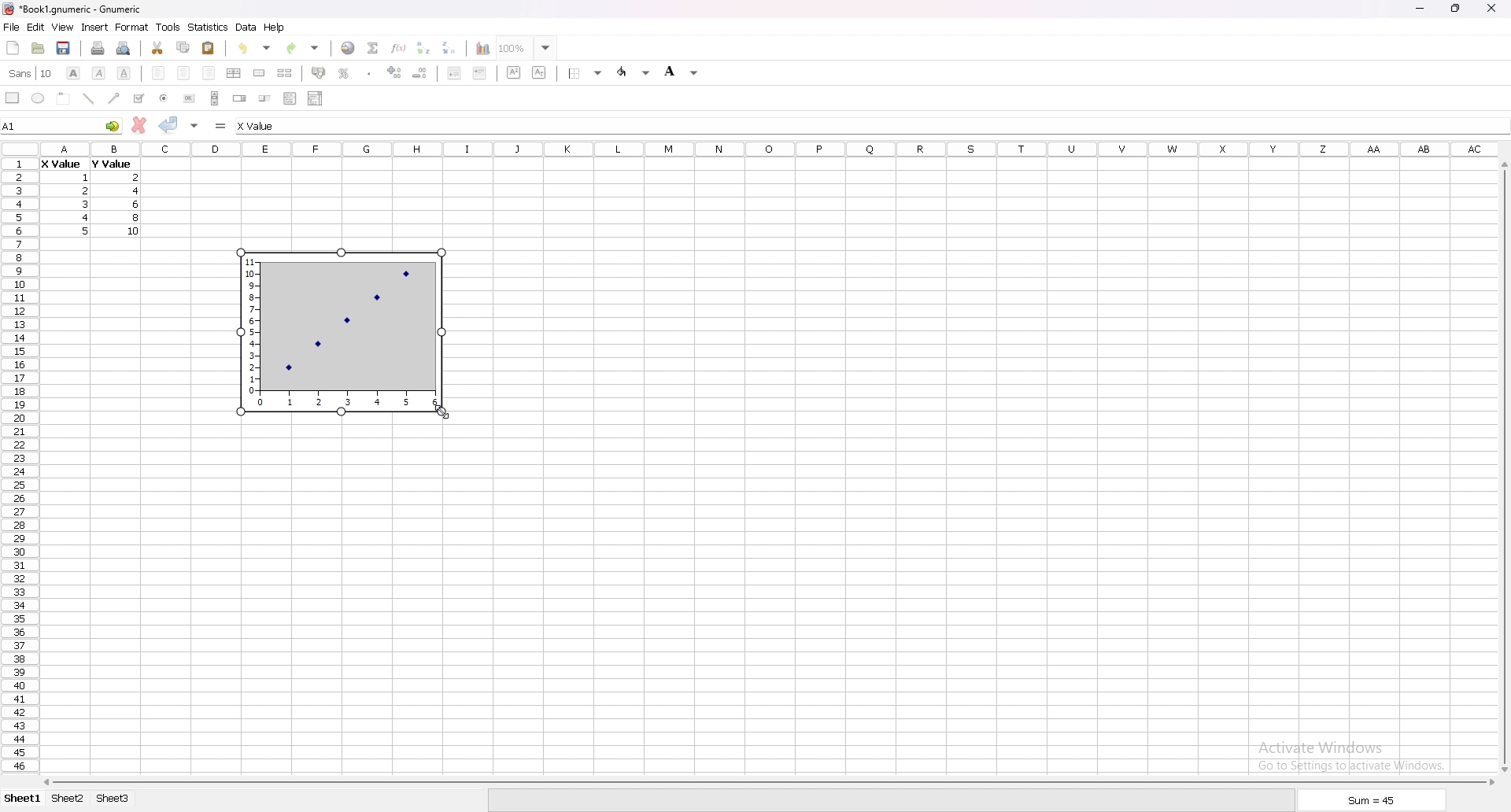  What do you see at coordinates (13, 97) in the screenshot?
I see `rectangle` at bounding box center [13, 97].